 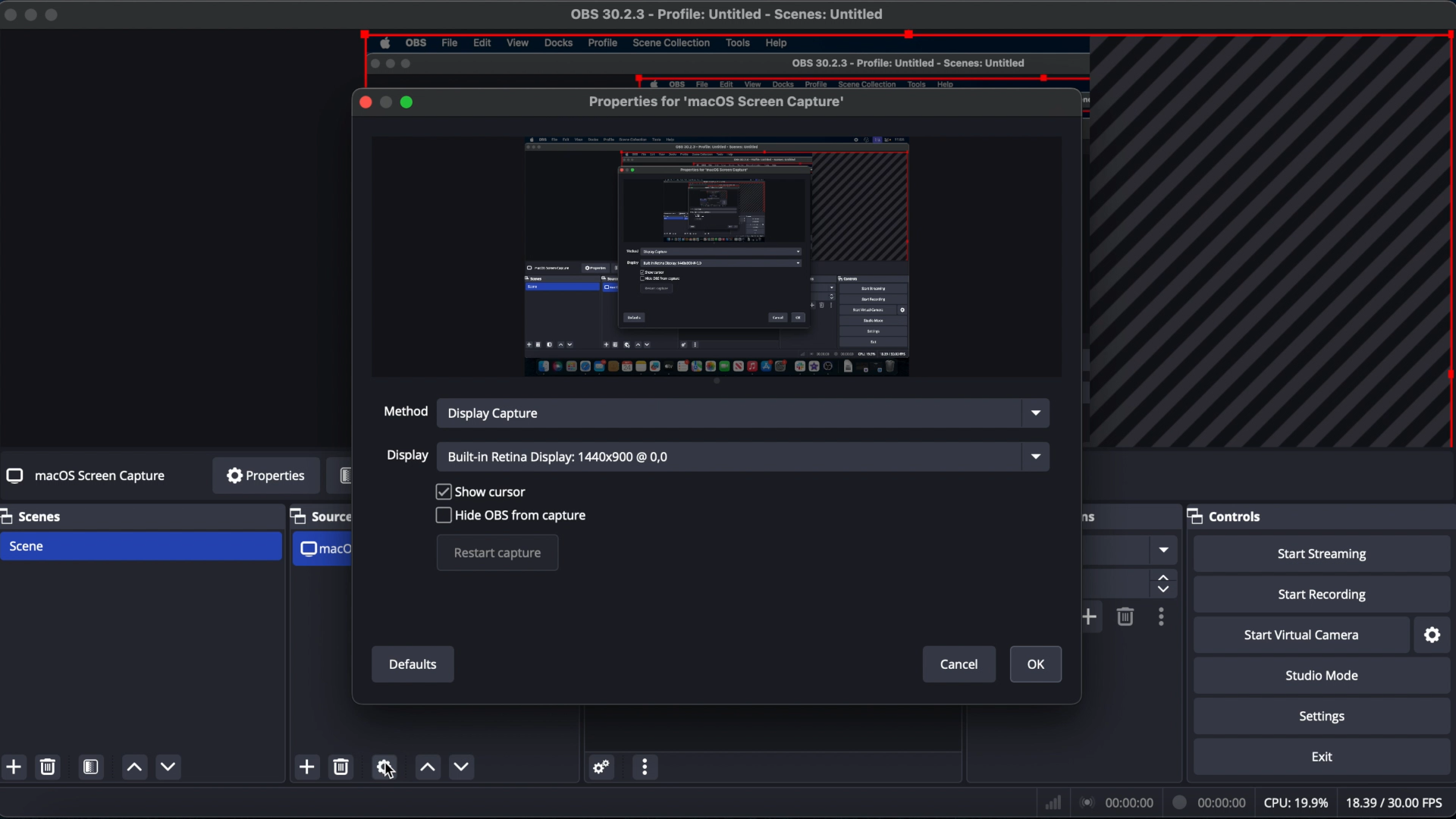 I want to click on start virtual camera, so click(x=1303, y=635).